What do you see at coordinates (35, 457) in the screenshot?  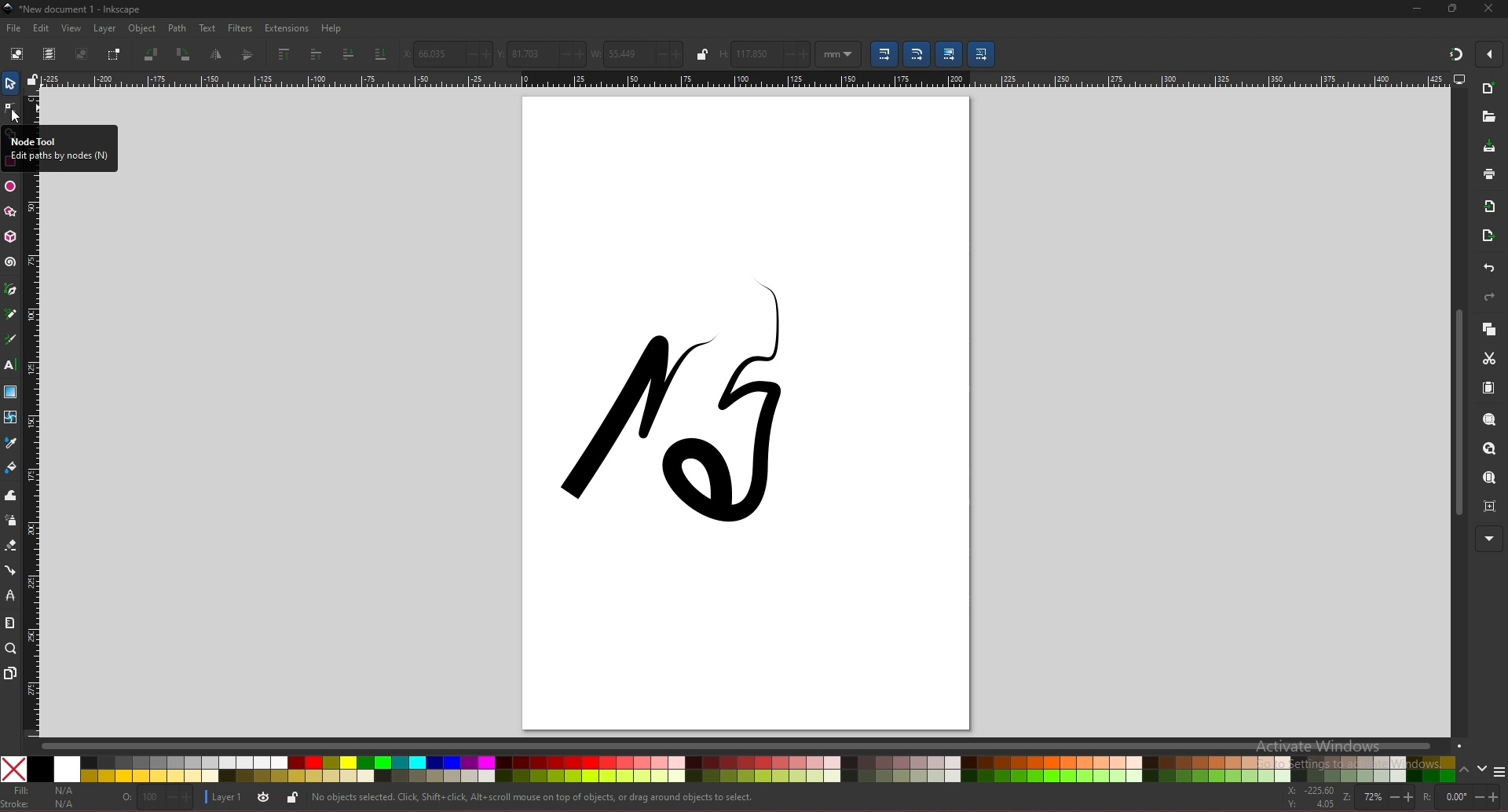 I see `vertical scale` at bounding box center [35, 457].